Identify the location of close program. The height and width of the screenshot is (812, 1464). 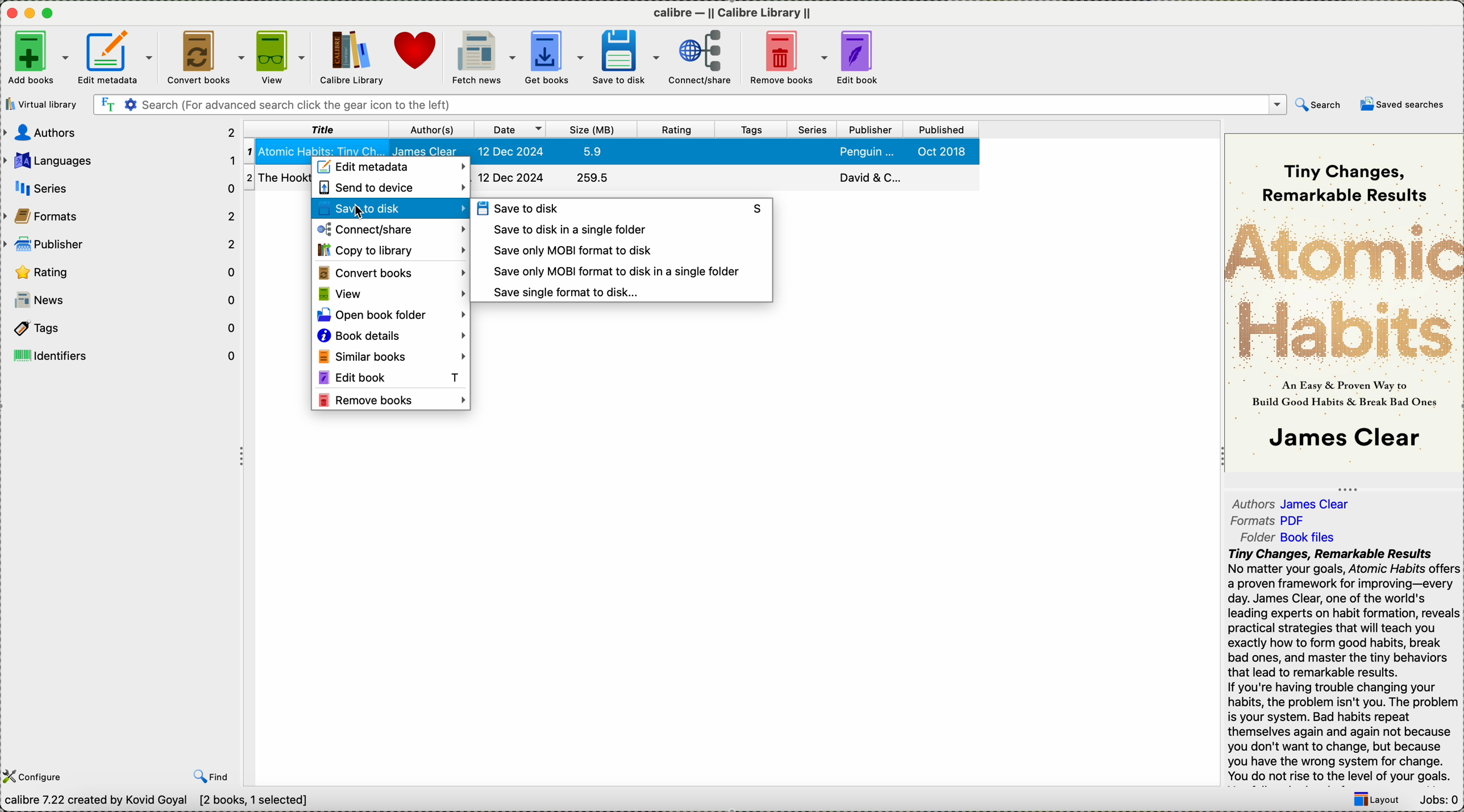
(9, 12).